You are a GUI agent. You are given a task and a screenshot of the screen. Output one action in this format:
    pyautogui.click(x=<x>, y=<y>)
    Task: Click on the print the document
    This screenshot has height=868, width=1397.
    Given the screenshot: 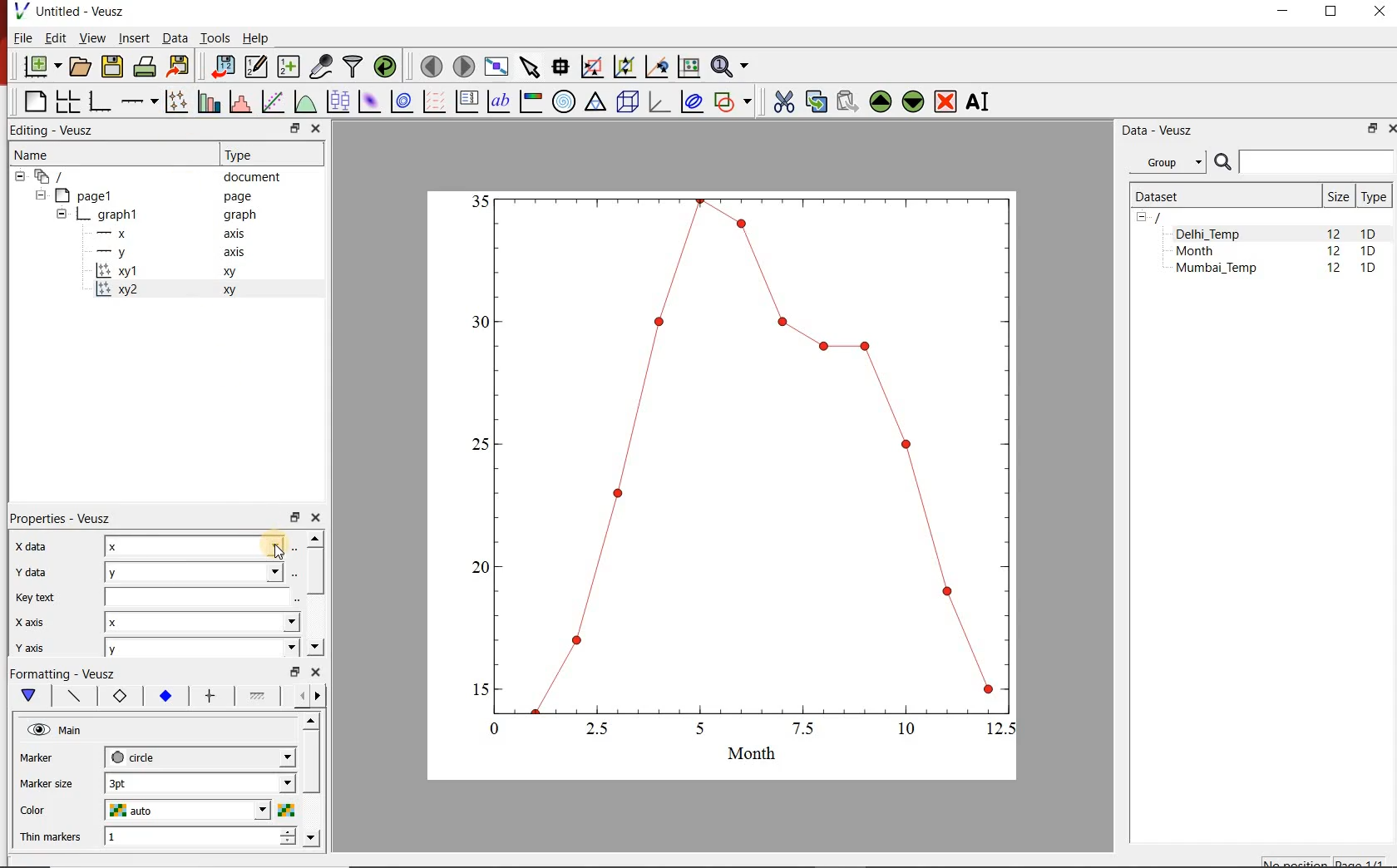 What is the action you would take?
    pyautogui.click(x=145, y=67)
    